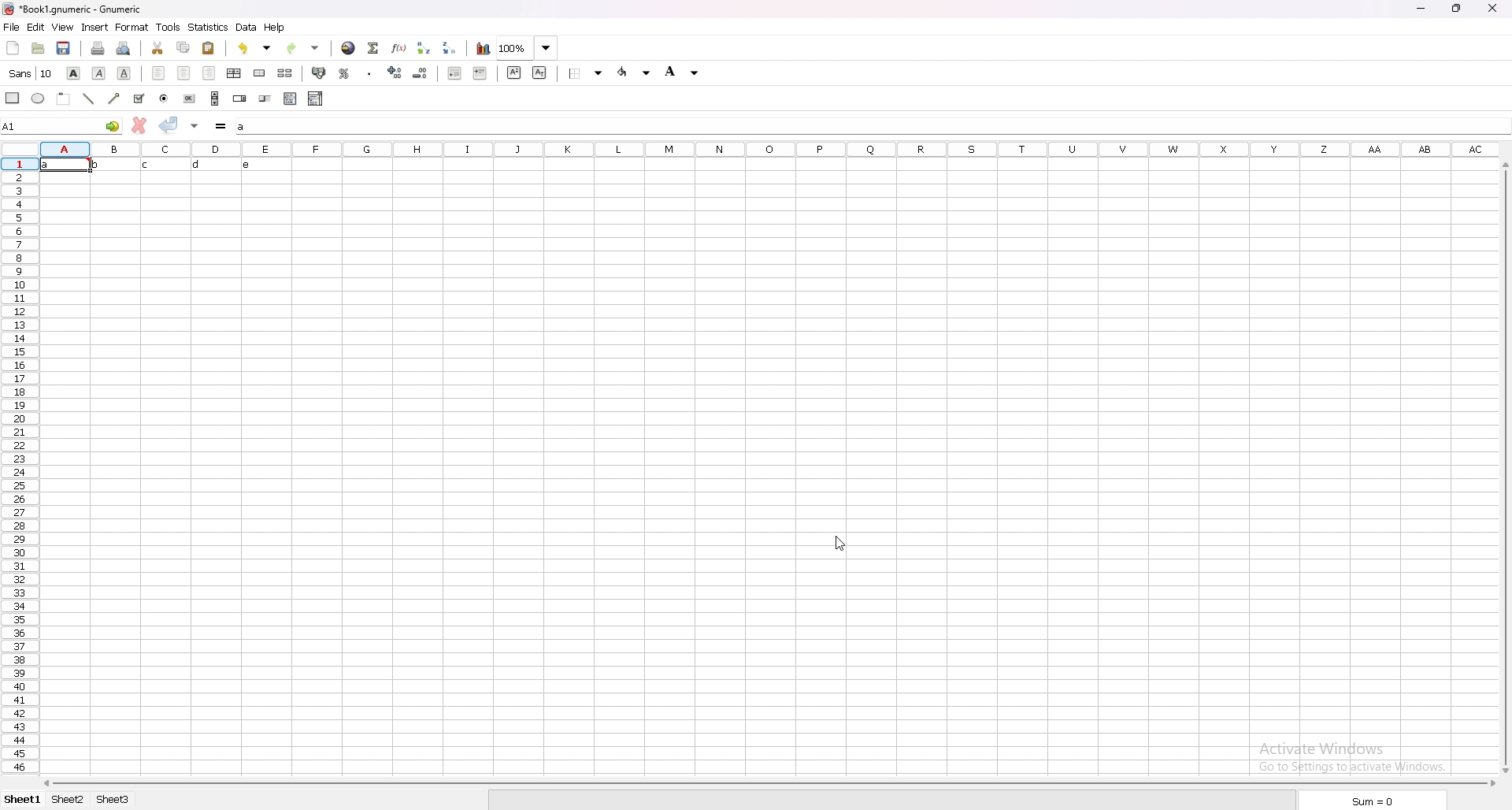 This screenshot has height=810, width=1512. Describe the element at coordinates (31, 73) in the screenshot. I see `font` at that location.